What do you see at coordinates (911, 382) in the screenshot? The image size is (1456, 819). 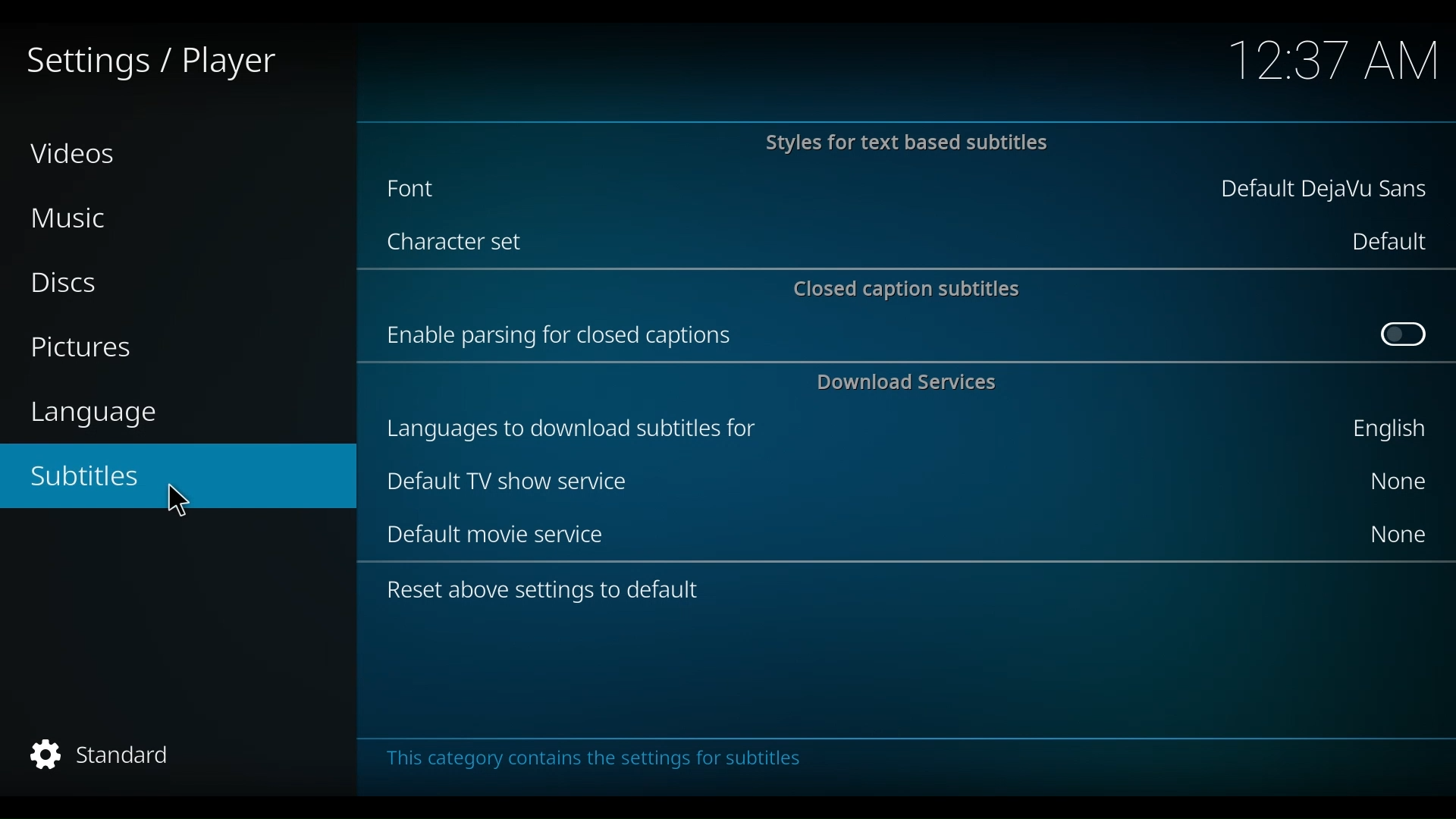 I see `Download Services` at bounding box center [911, 382].